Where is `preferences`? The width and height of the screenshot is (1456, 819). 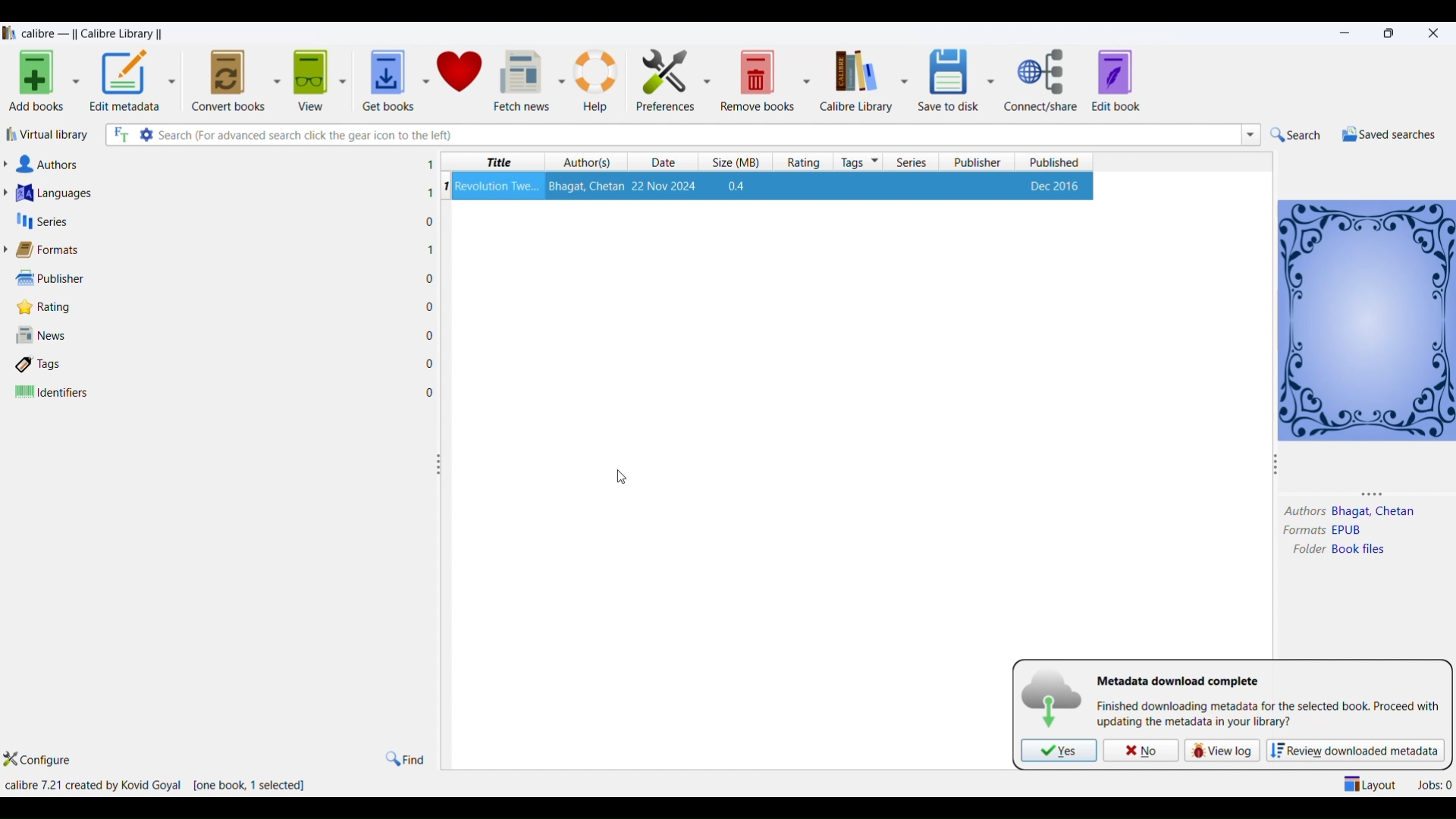
preferences is located at coordinates (661, 77).